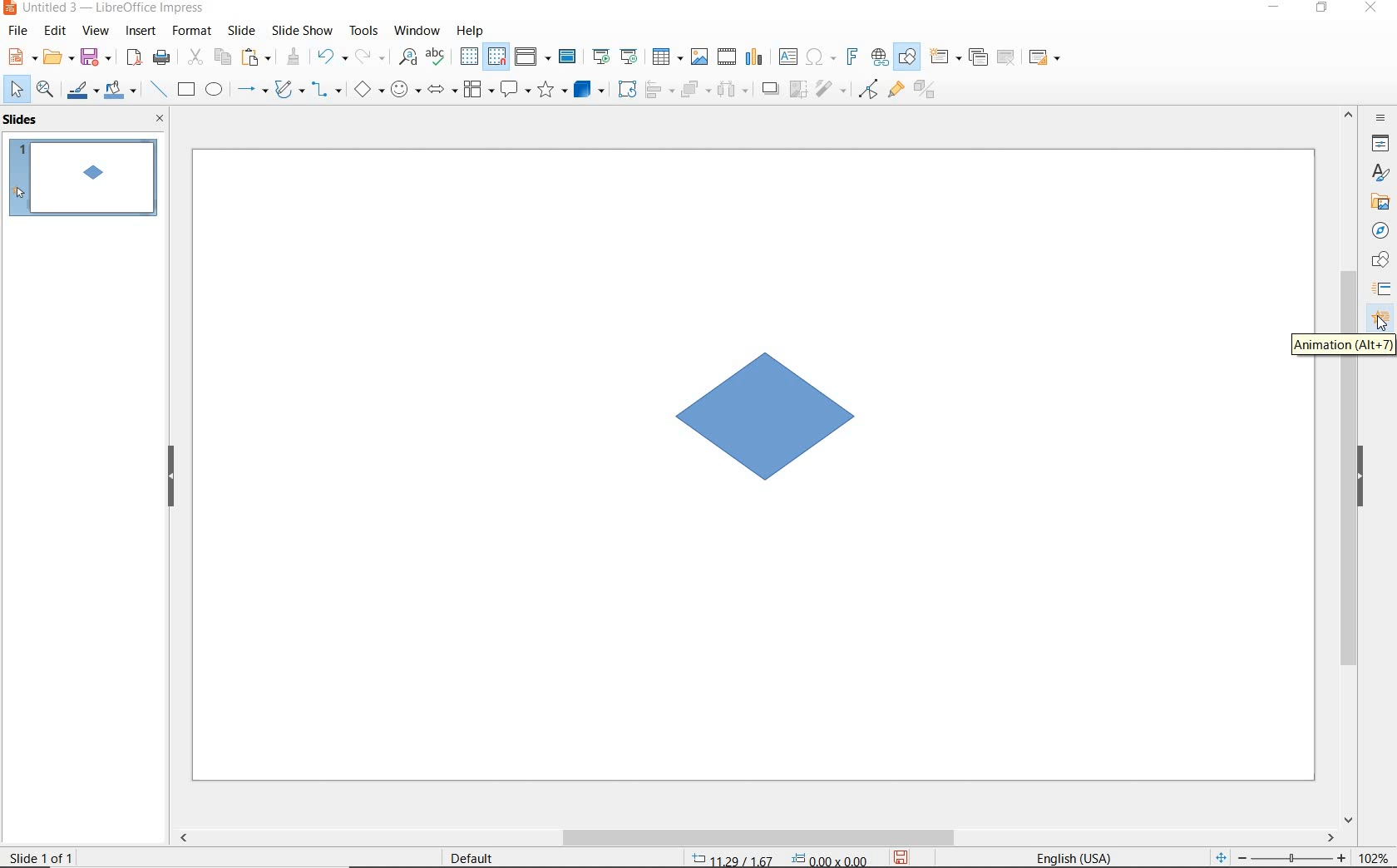  Describe the element at coordinates (81, 92) in the screenshot. I see `line color` at that location.